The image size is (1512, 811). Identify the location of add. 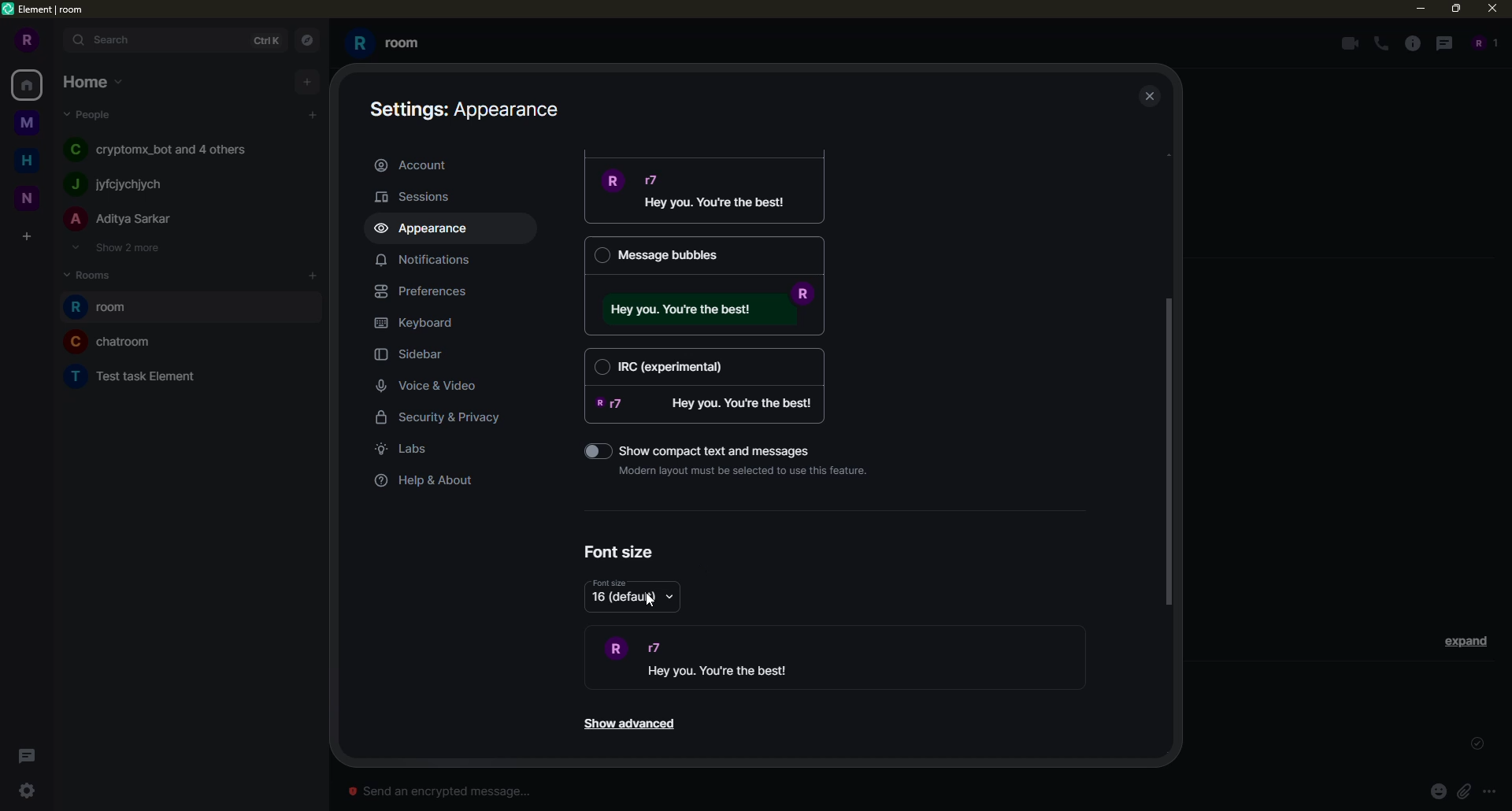
(313, 115).